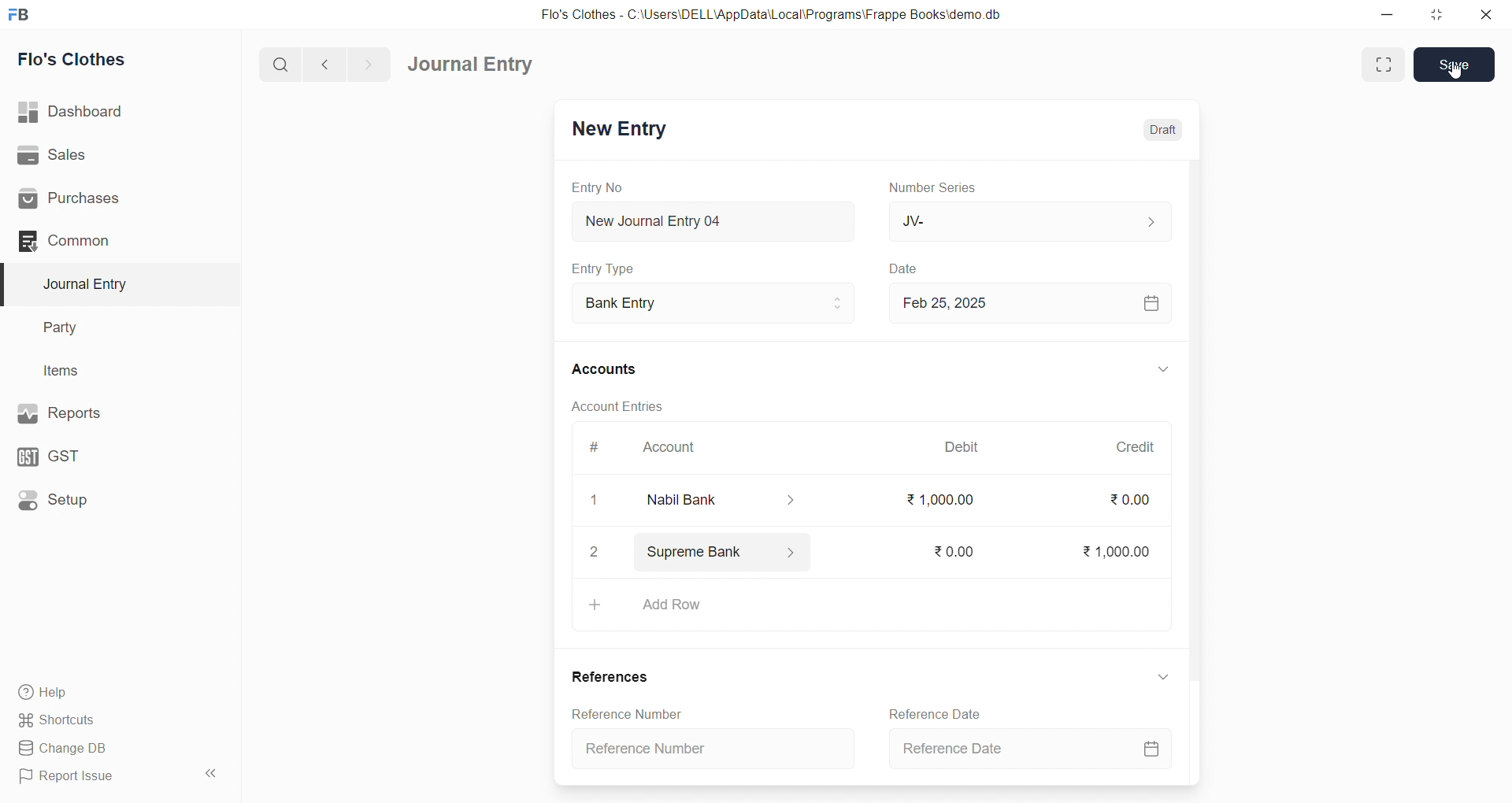 This screenshot has height=803, width=1512. Describe the element at coordinates (1128, 503) in the screenshot. I see `₹ 0.00` at that location.